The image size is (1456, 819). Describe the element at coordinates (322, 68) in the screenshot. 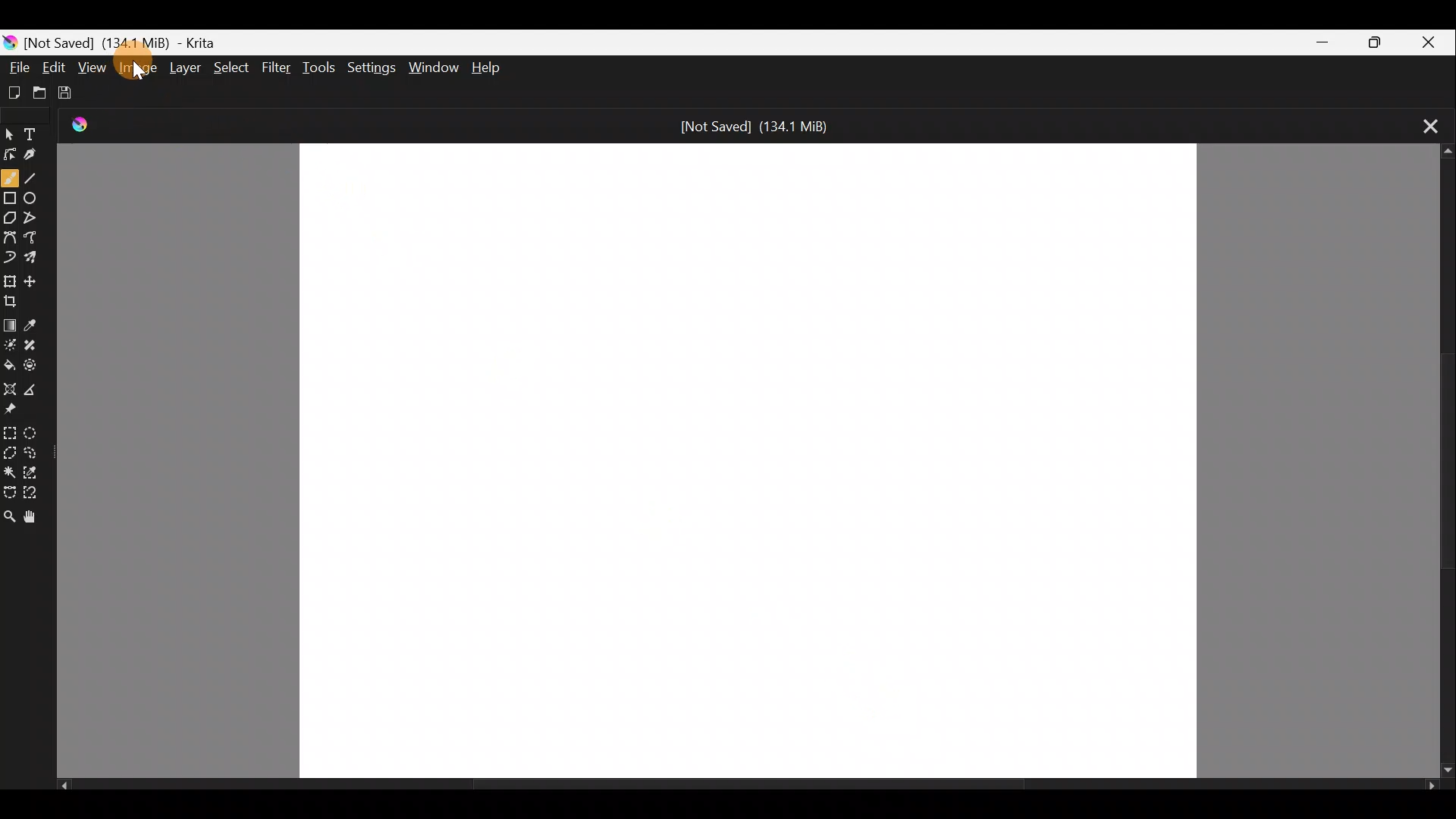

I see `Tools` at that location.